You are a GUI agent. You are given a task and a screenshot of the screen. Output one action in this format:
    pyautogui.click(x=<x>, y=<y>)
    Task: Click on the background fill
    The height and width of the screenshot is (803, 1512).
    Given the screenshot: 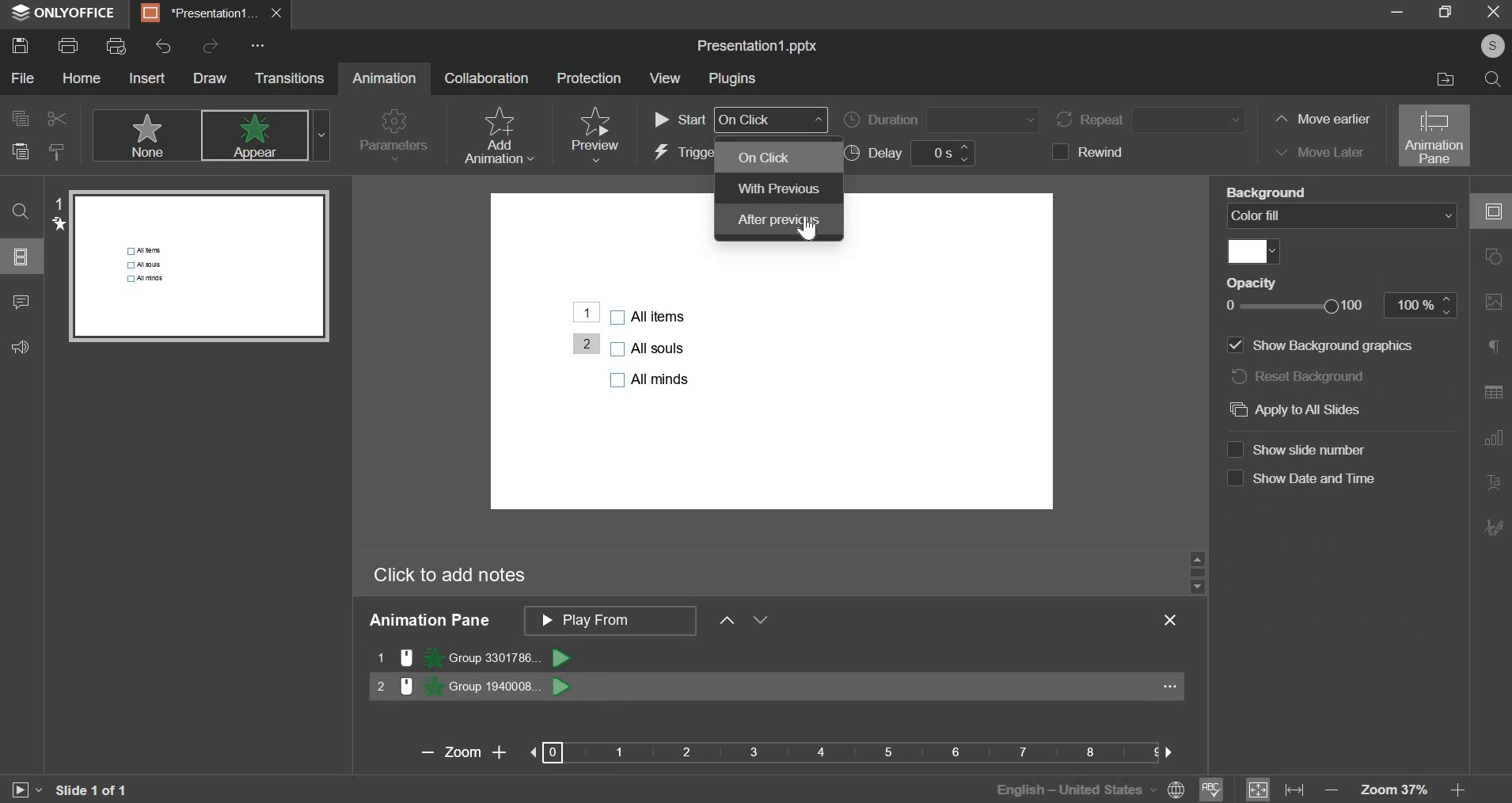 What is the action you would take?
    pyautogui.click(x=1344, y=215)
    